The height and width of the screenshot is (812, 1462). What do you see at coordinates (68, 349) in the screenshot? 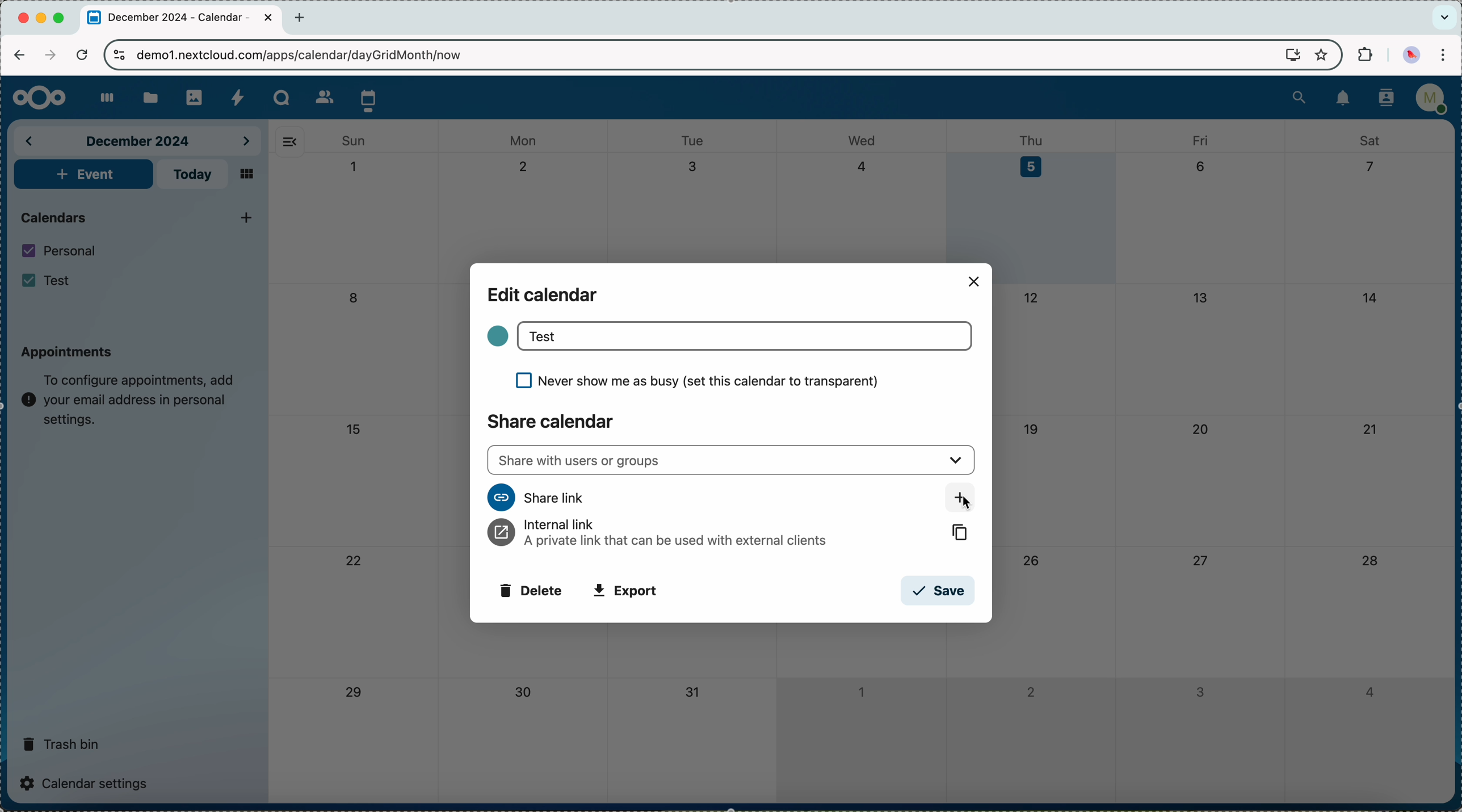
I see `appointments` at bounding box center [68, 349].